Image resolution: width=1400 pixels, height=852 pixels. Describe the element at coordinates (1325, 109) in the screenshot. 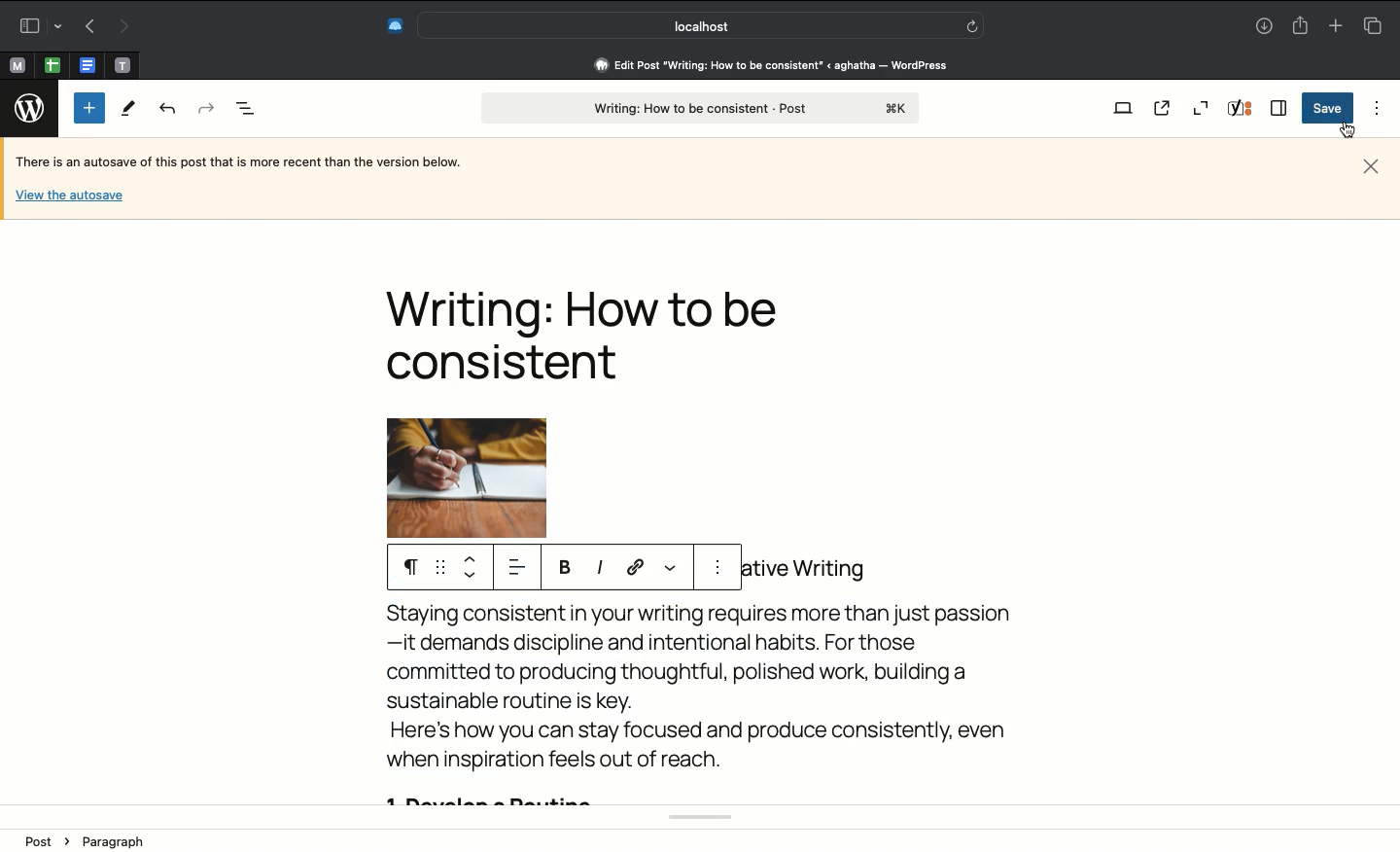

I see `Save` at that location.